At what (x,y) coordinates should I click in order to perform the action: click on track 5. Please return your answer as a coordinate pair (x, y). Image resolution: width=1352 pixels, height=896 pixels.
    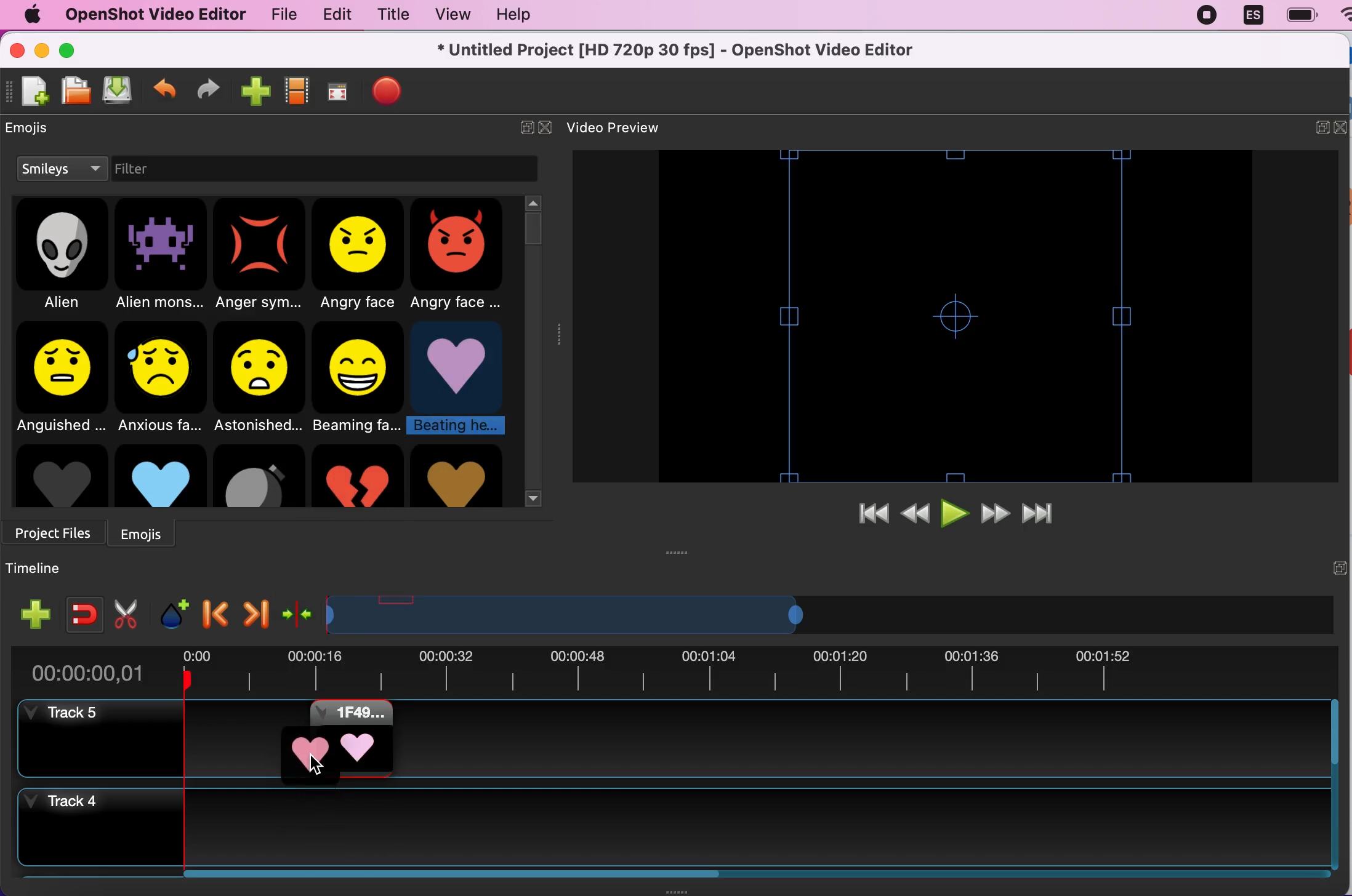
    Looking at the image, I should click on (71, 714).